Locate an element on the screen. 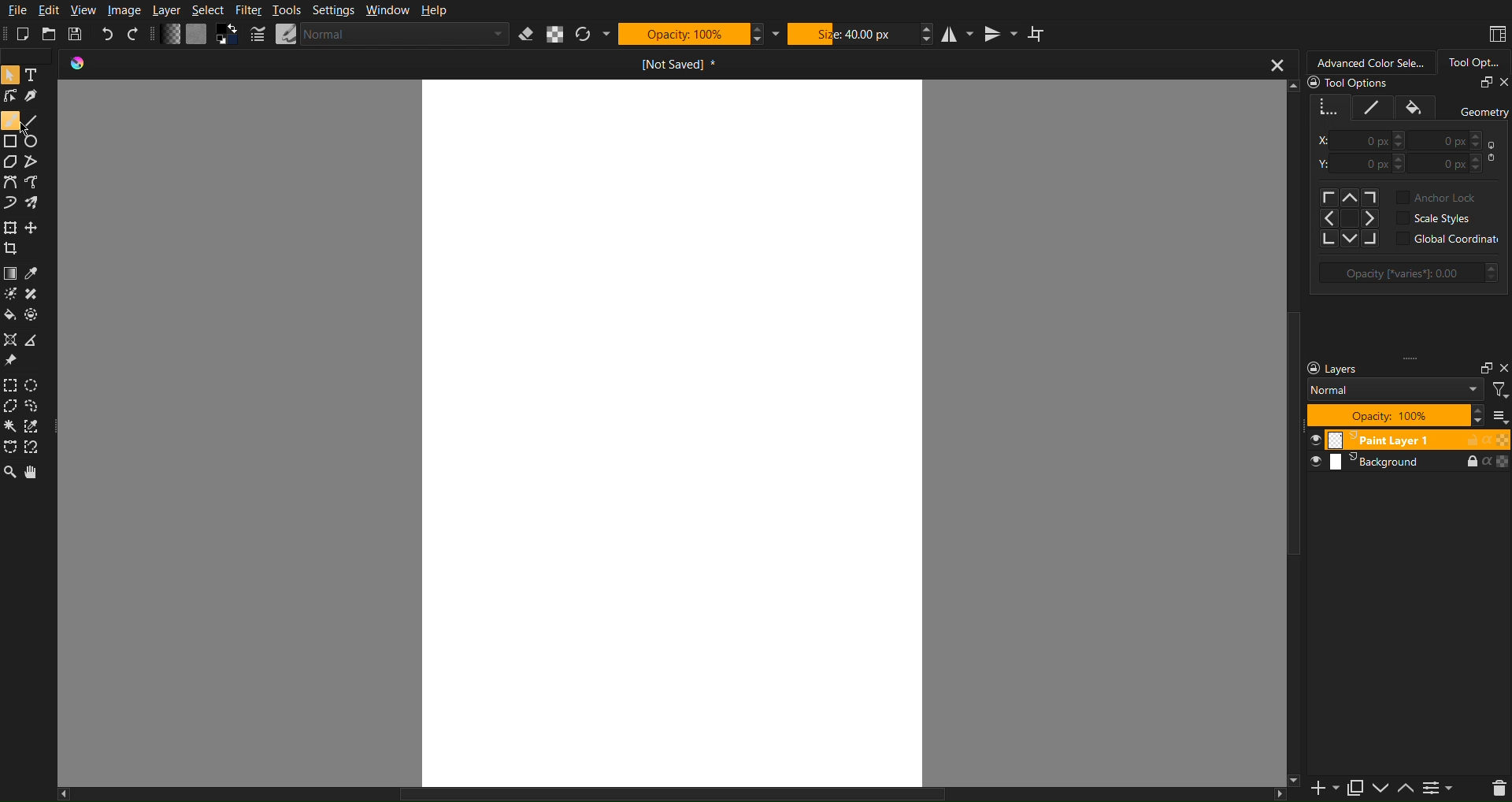  Misc Tools is located at coordinates (13, 337).